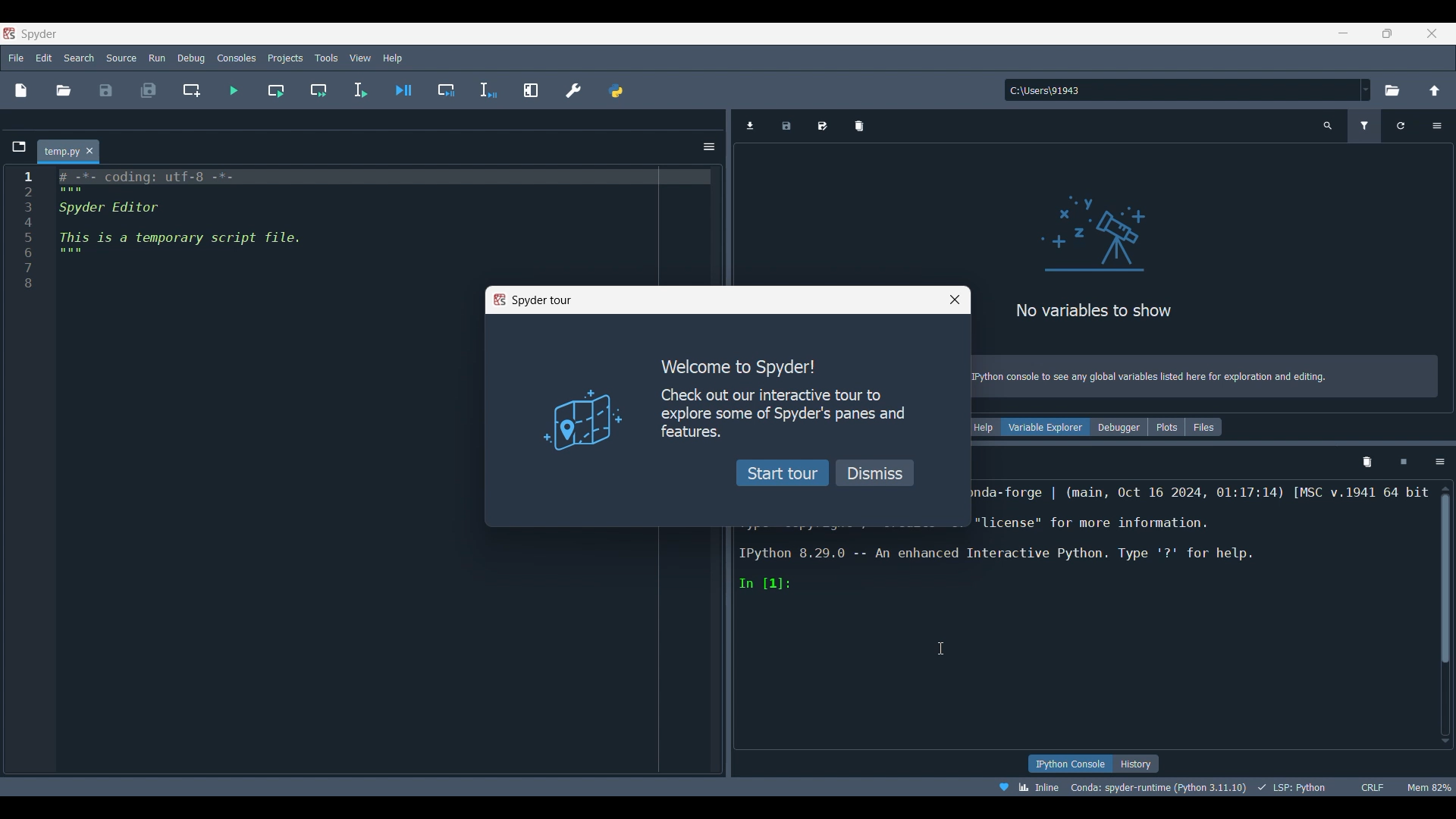 This screenshot has height=819, width=1456. Describe the element at coordinates (1115, 427) in the screenshot. I see `Debugger` at that location.